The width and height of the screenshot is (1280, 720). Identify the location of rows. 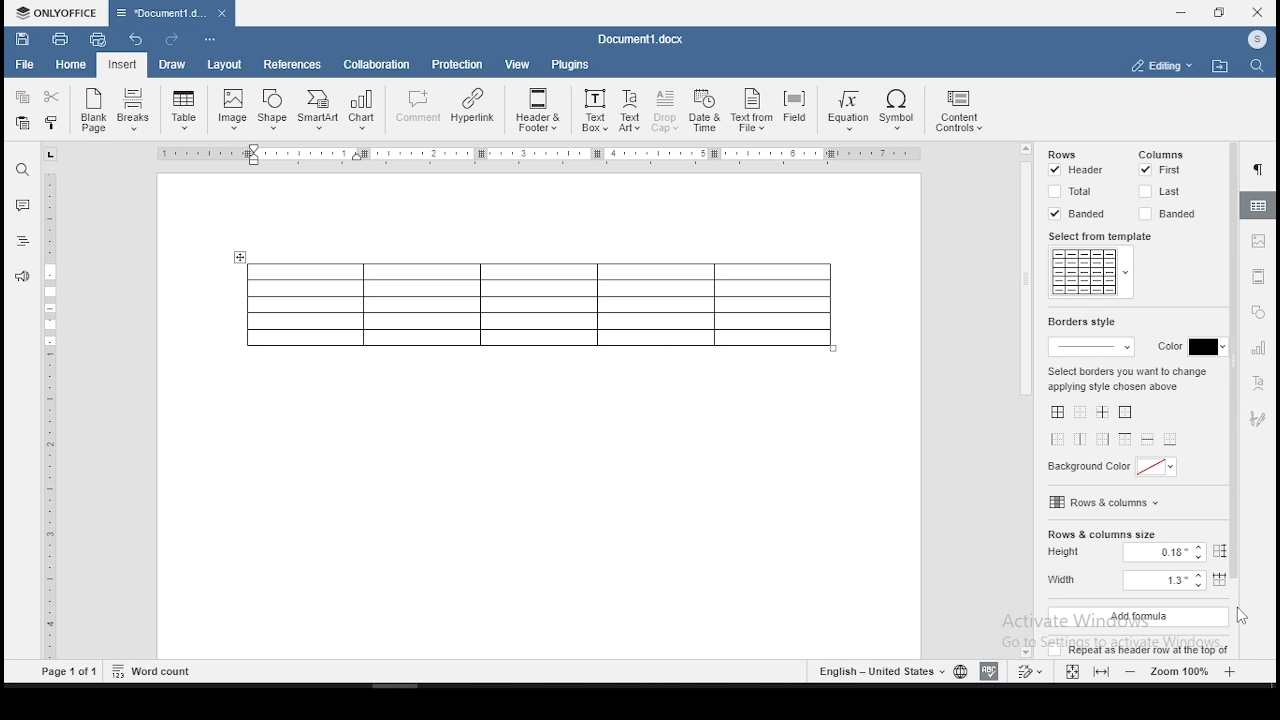
(1063, 155).